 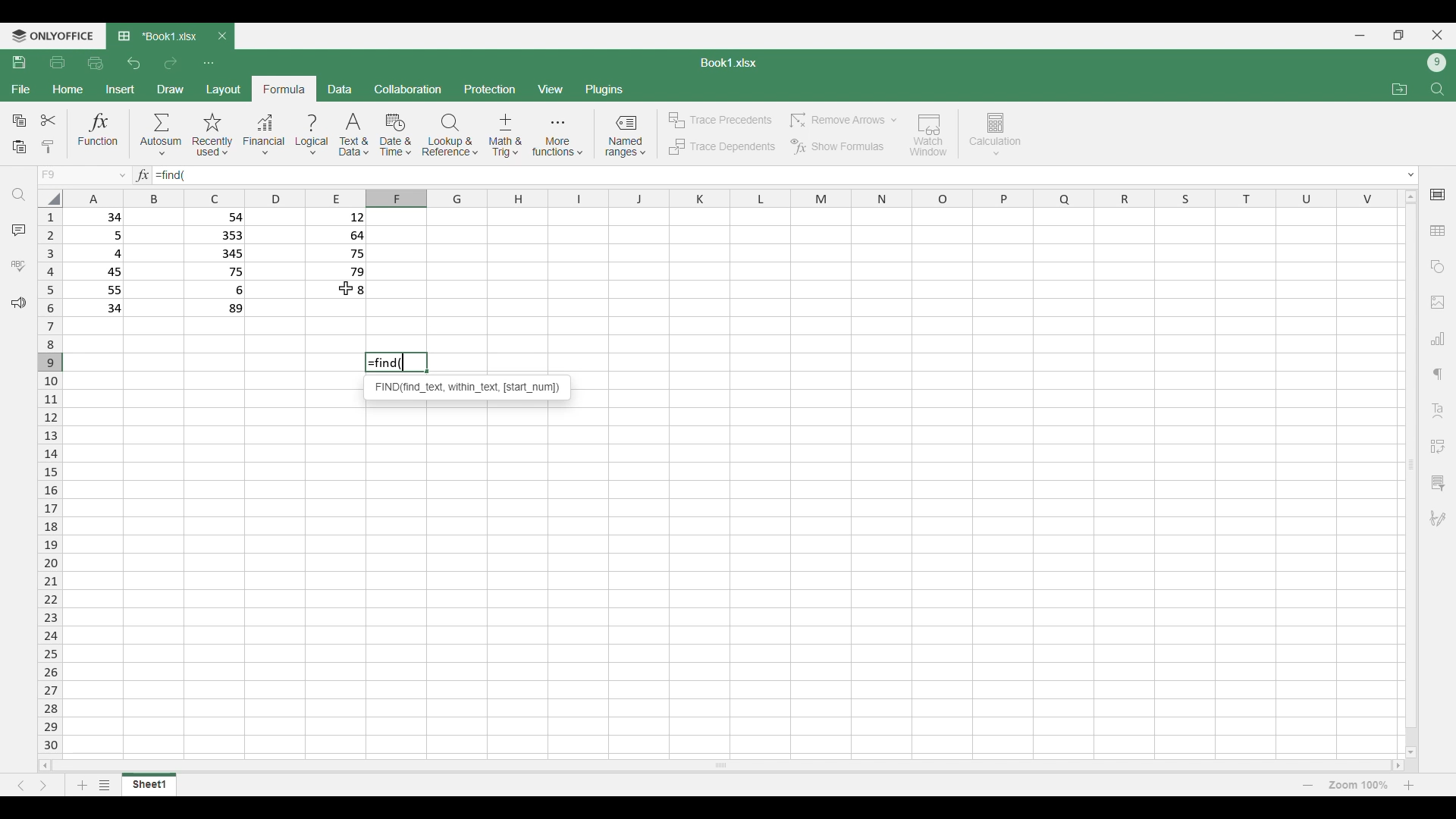 I want to click on Add sheet, so click(x=83, y=785).